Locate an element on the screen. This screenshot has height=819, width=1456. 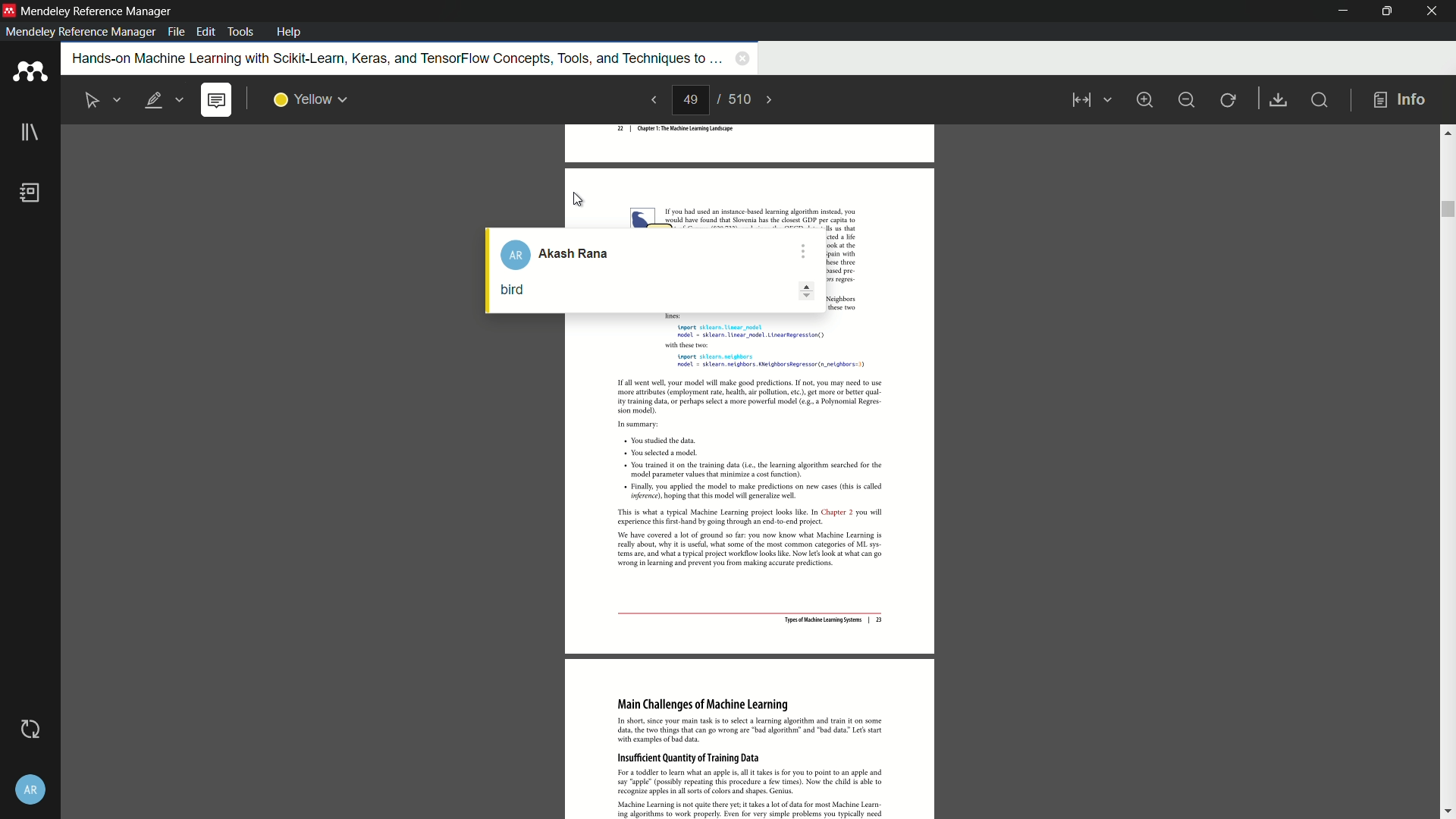
scroll bar is located at coordinates (1447, 471).